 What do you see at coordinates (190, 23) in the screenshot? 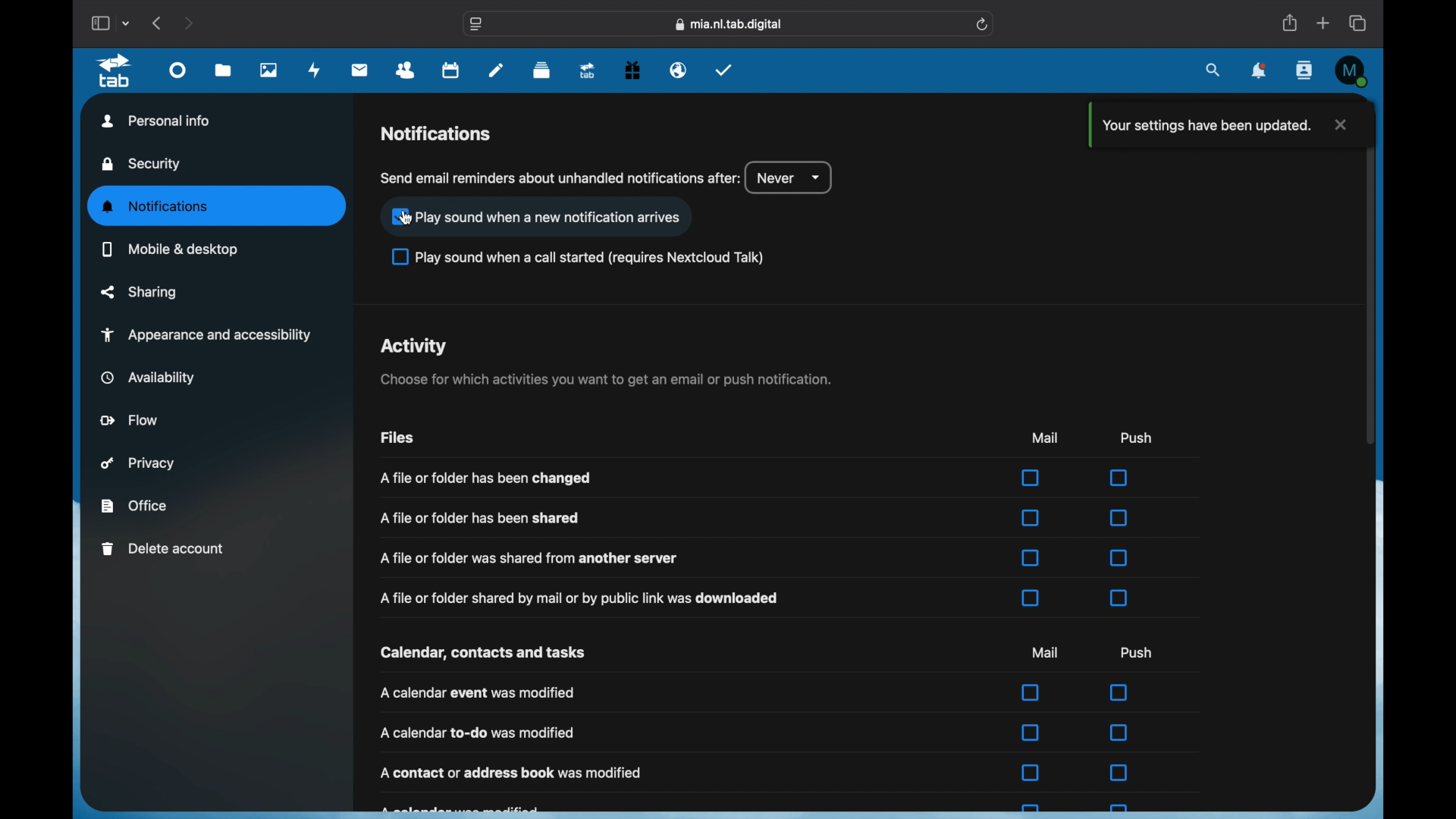
I see `next` at bounding box center [190, 23].